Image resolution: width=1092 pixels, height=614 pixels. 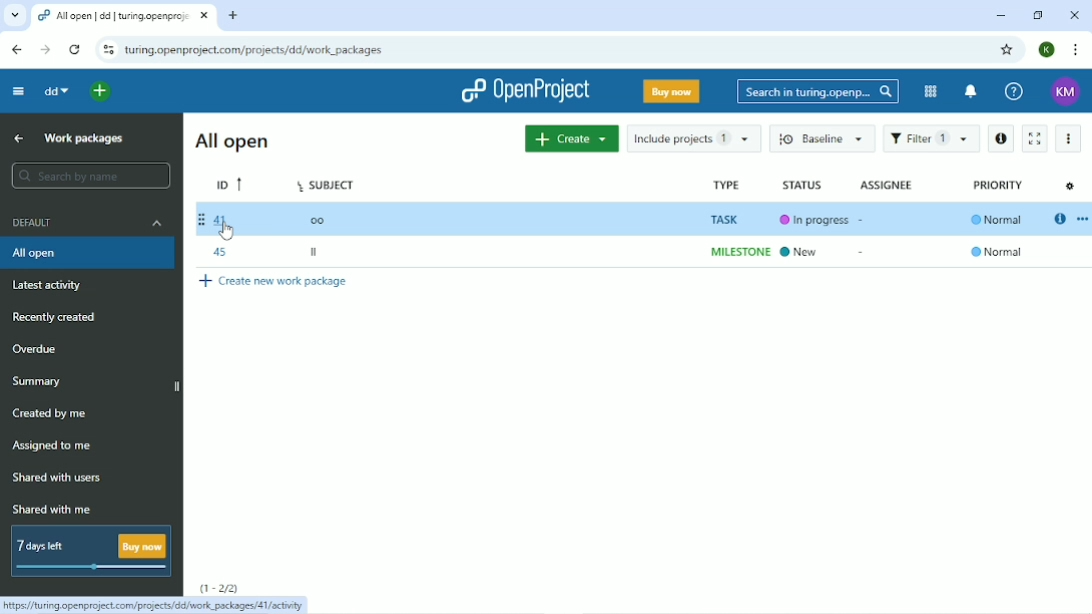 What do you see at coordinates (91, 550) in the screenshot?
I see `7 days left` at bounding box center [91, 550].